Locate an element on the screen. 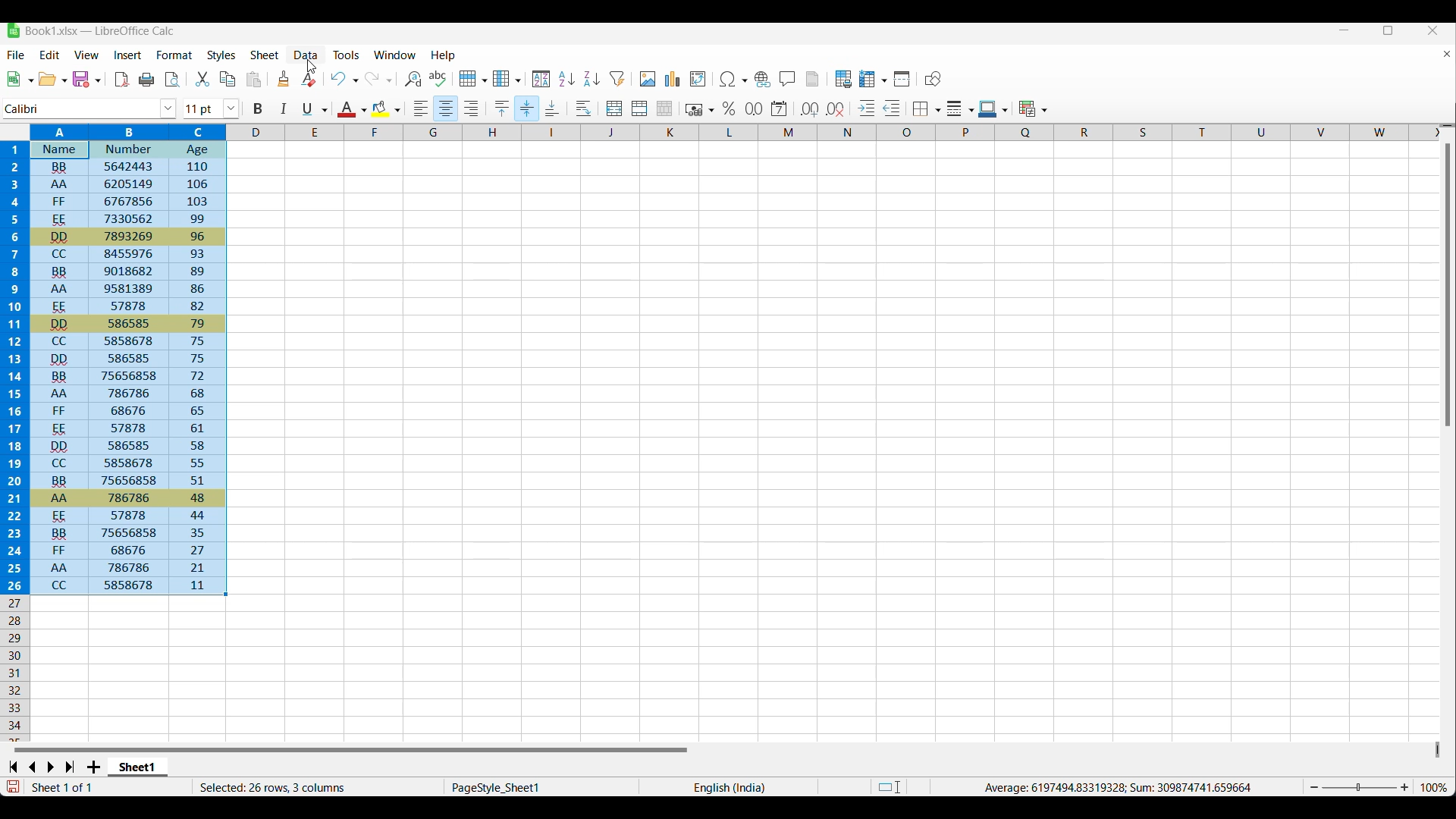 The width and height of the screenshot is (1456, 819). Insert menu is located at coordinates (128, 55).